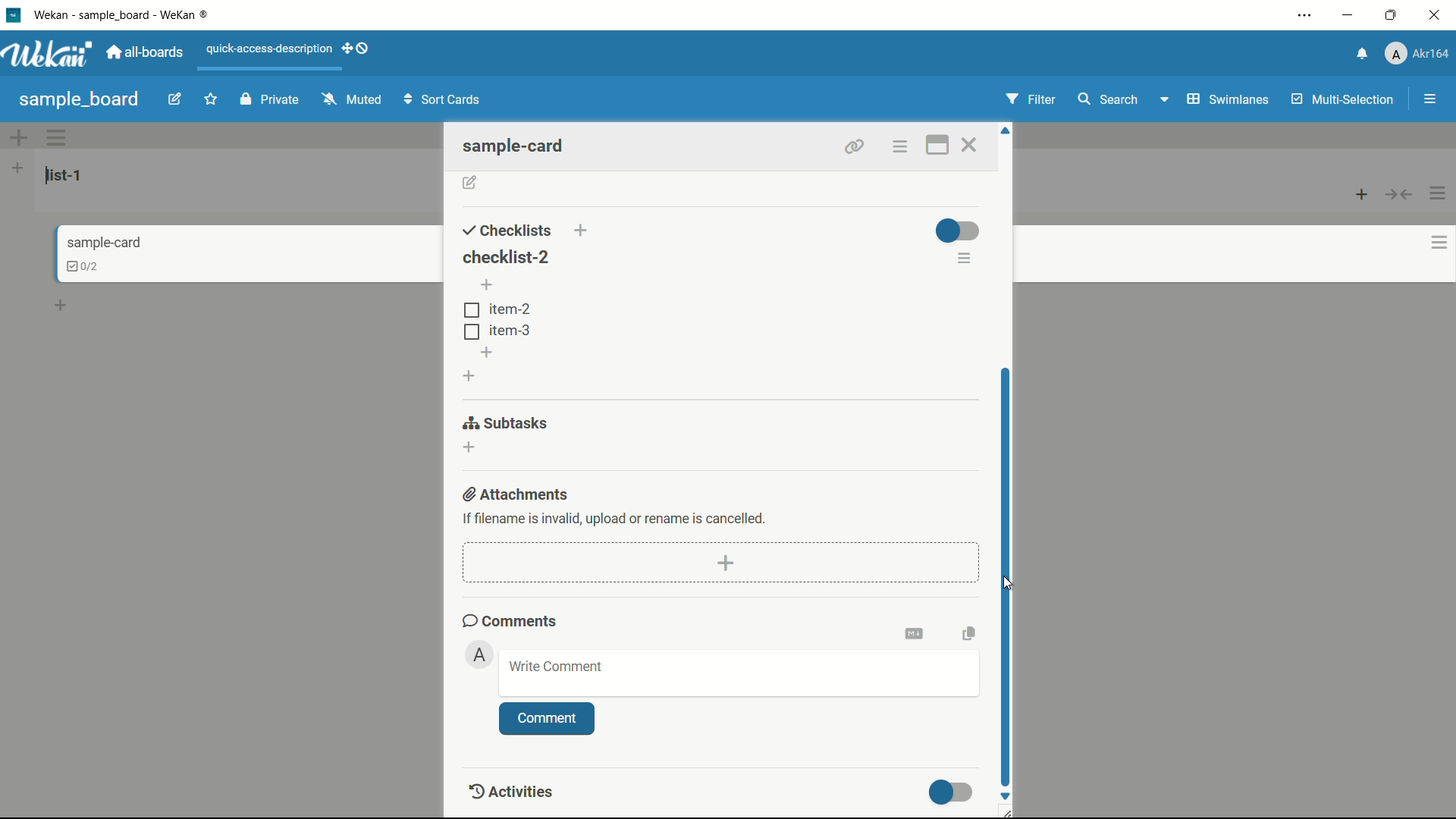 The image size is (1456, 819). Describe the element at coordinates (523, 792) in the screenshot. I see `Activities` at that location.